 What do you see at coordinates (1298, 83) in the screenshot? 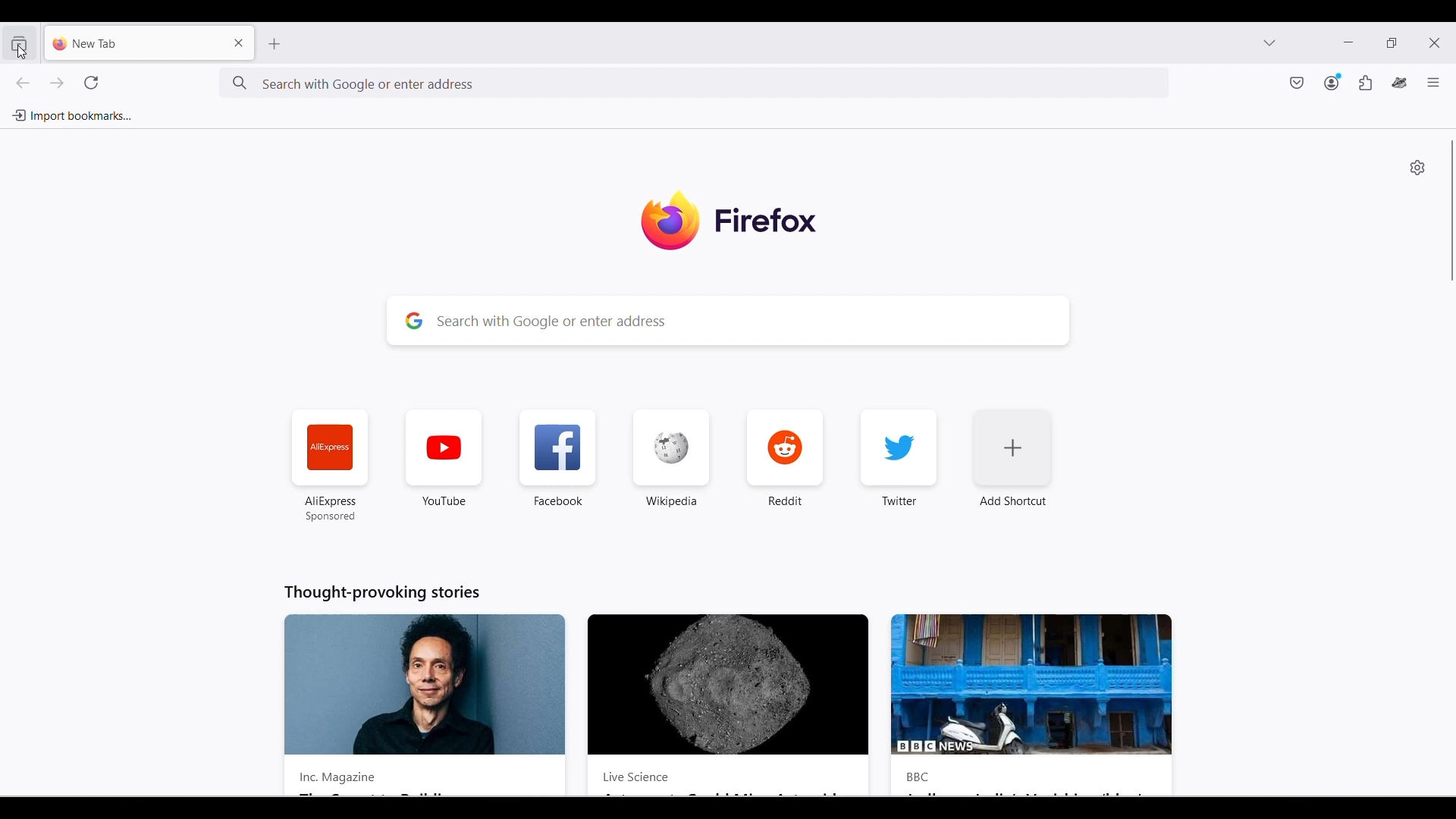
I see `Save to pocket` at bounding box center [1298, 83].